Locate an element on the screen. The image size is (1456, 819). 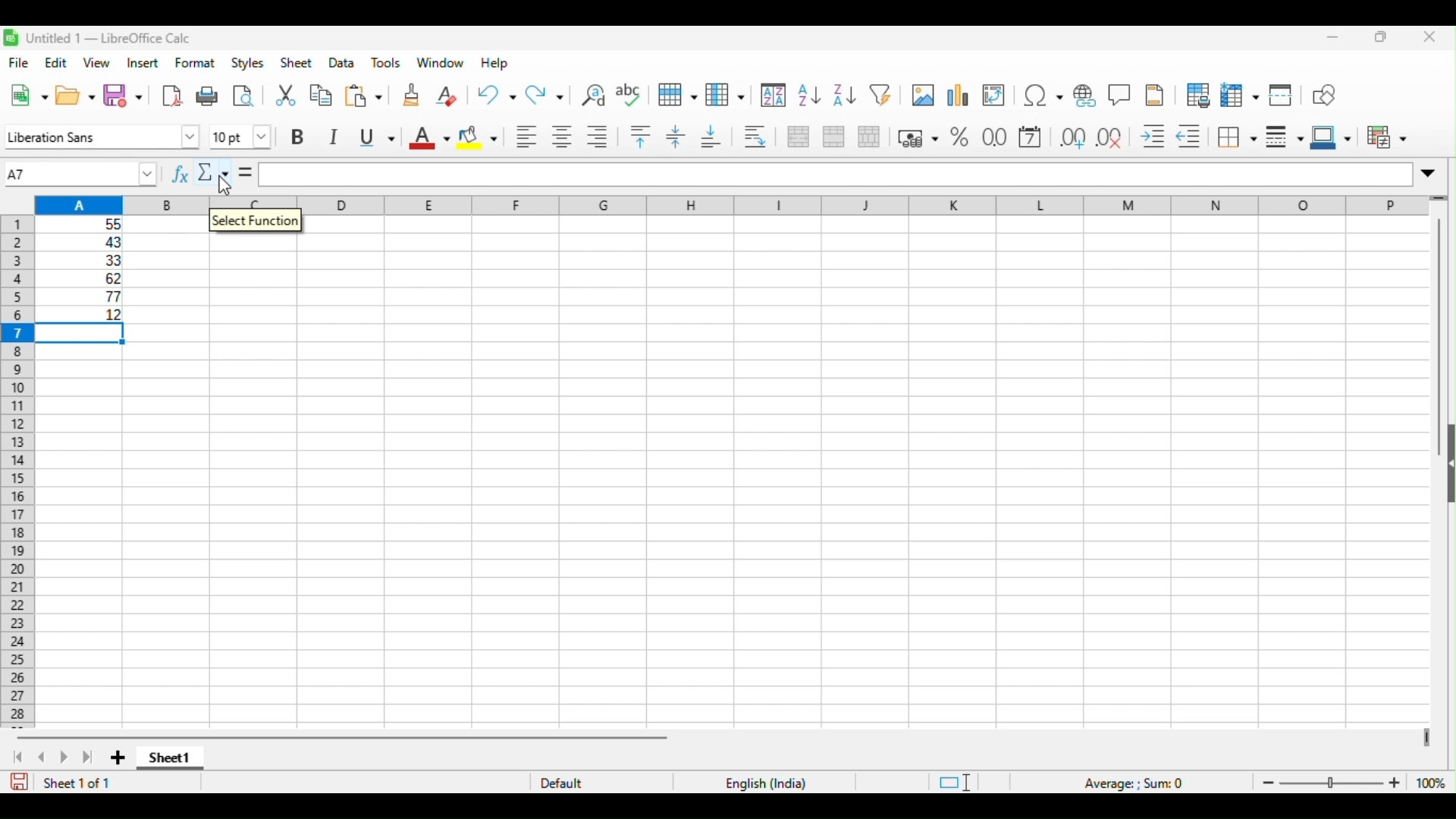
drag to view more rows is located at coordinates (1443, 199).